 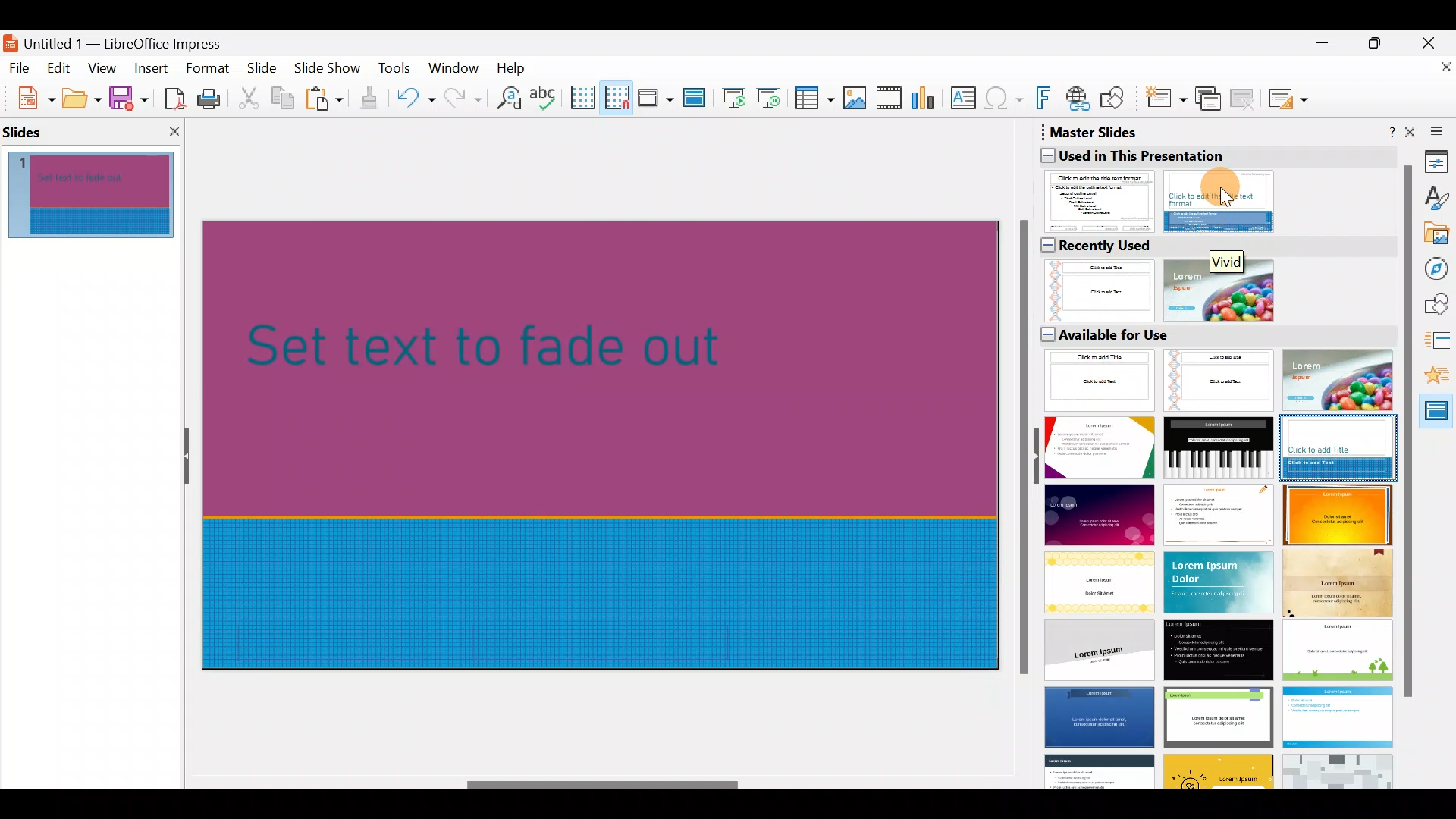 I want to click on Gallery, so click(x=1438, y=236).